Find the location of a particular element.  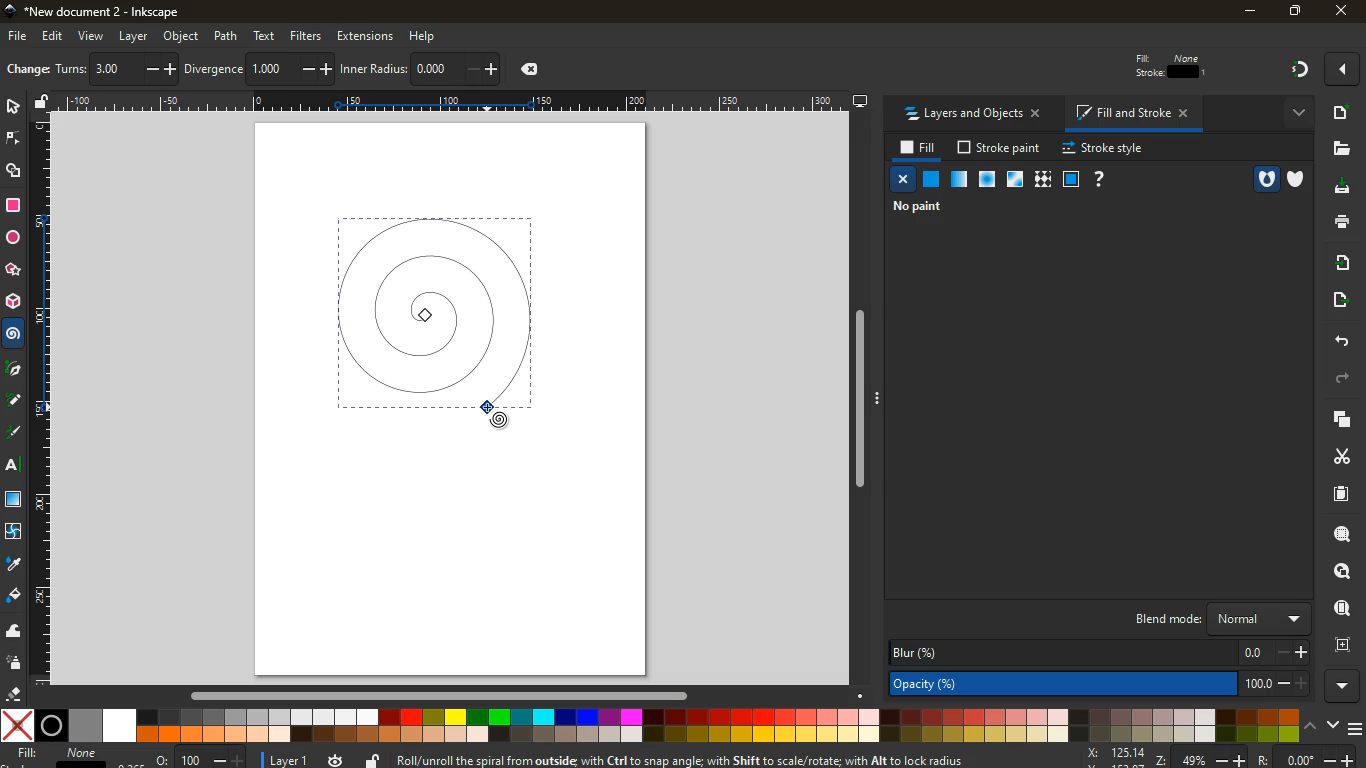

shape is located at coordinates (15, 173).